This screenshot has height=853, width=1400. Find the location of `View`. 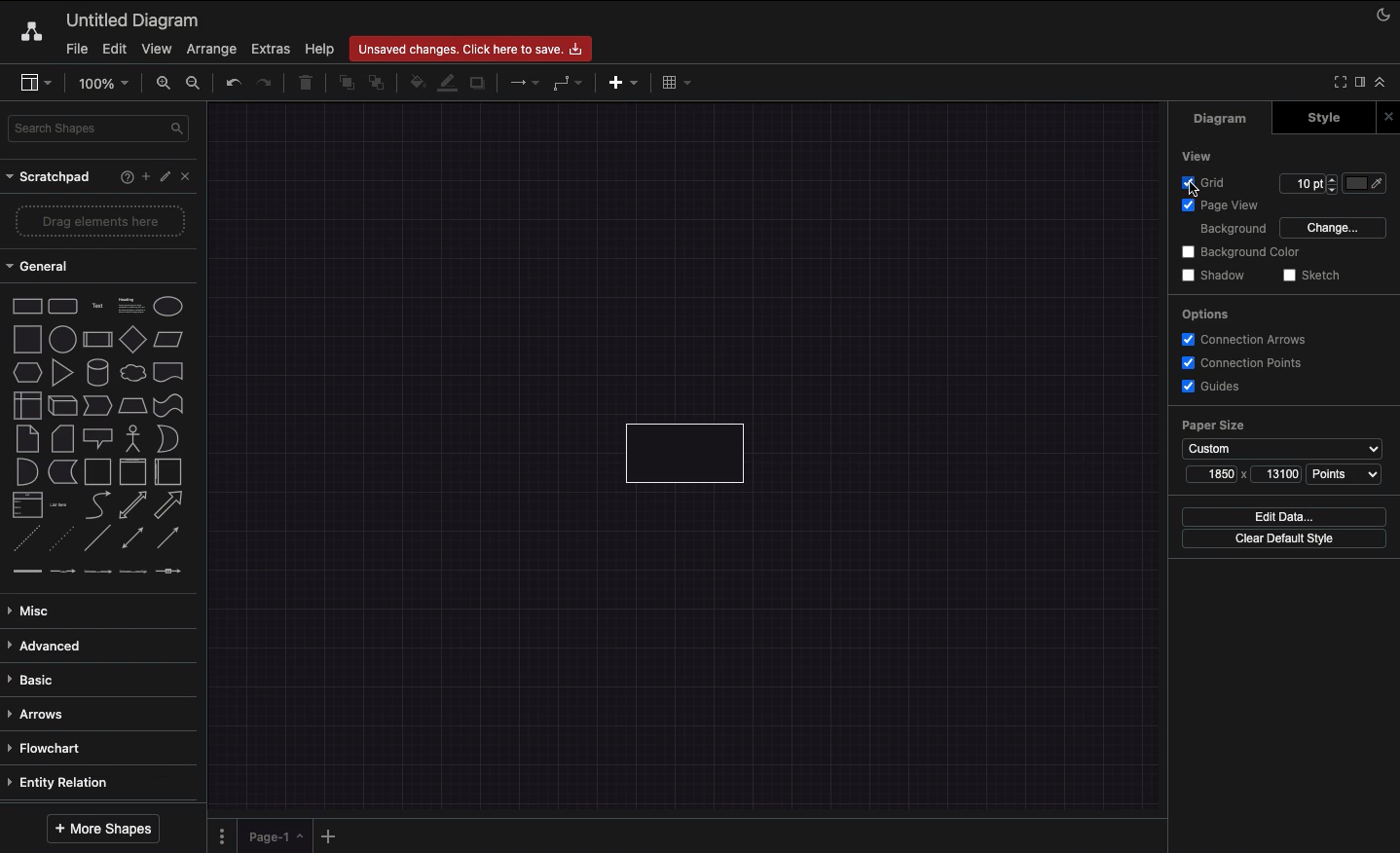

View is located at coordinates (1193, 154).